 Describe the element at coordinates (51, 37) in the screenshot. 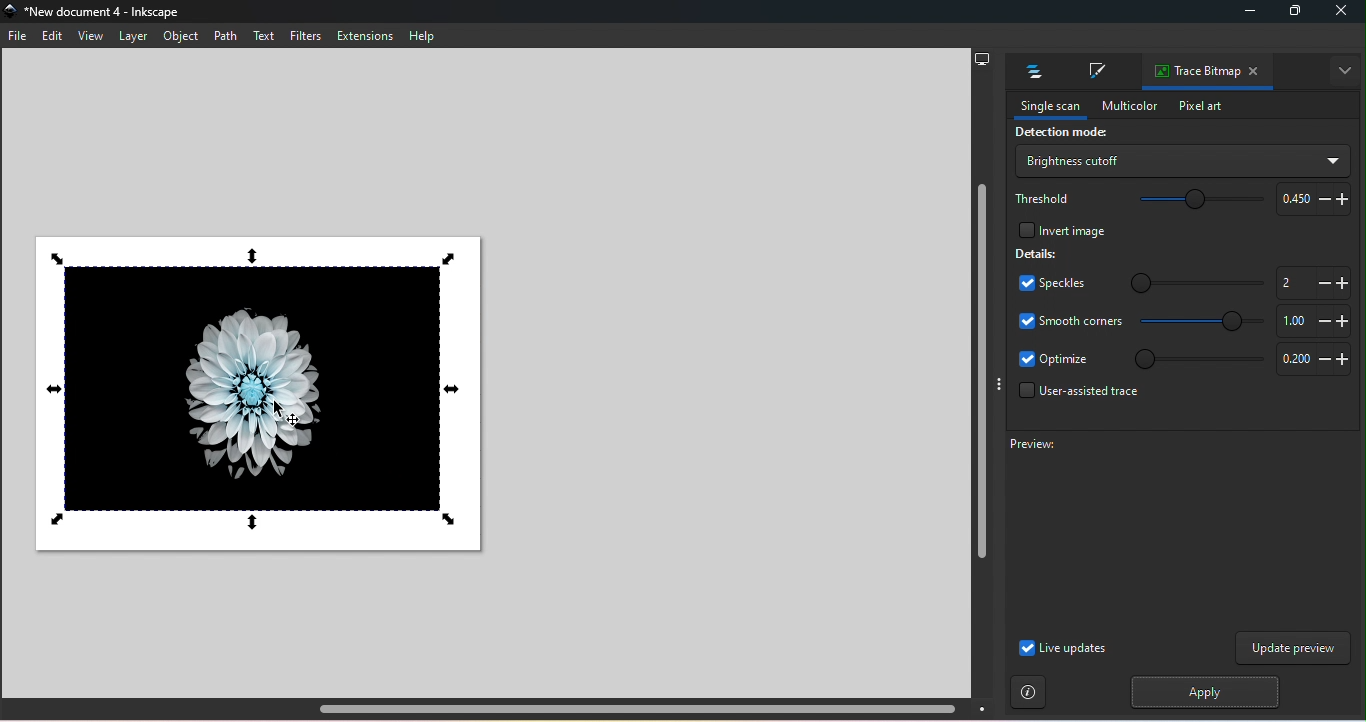

I see `Edit` at that location.